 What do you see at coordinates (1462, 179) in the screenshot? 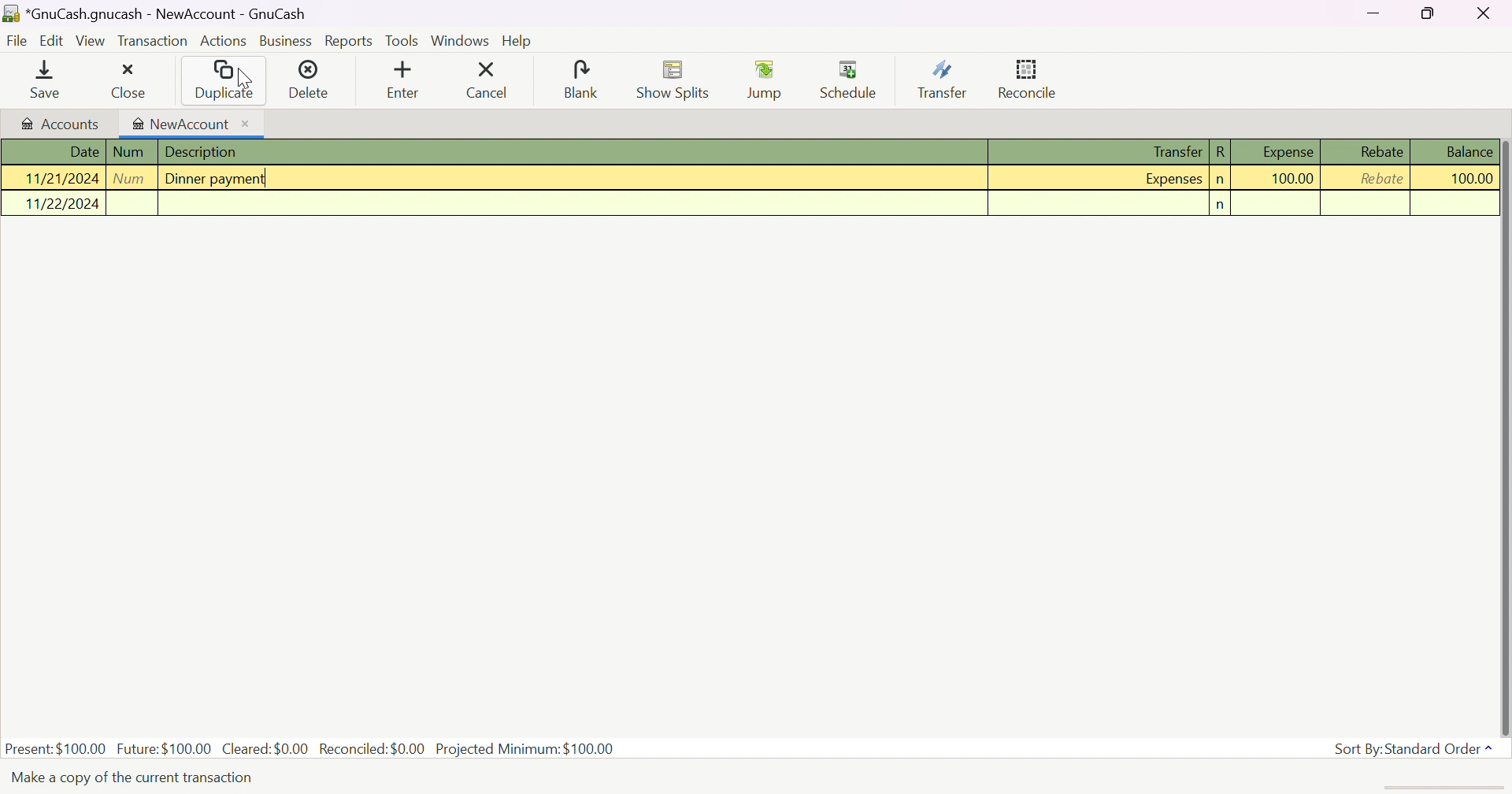
I see `100.00` at bounding box center [1462, 179].